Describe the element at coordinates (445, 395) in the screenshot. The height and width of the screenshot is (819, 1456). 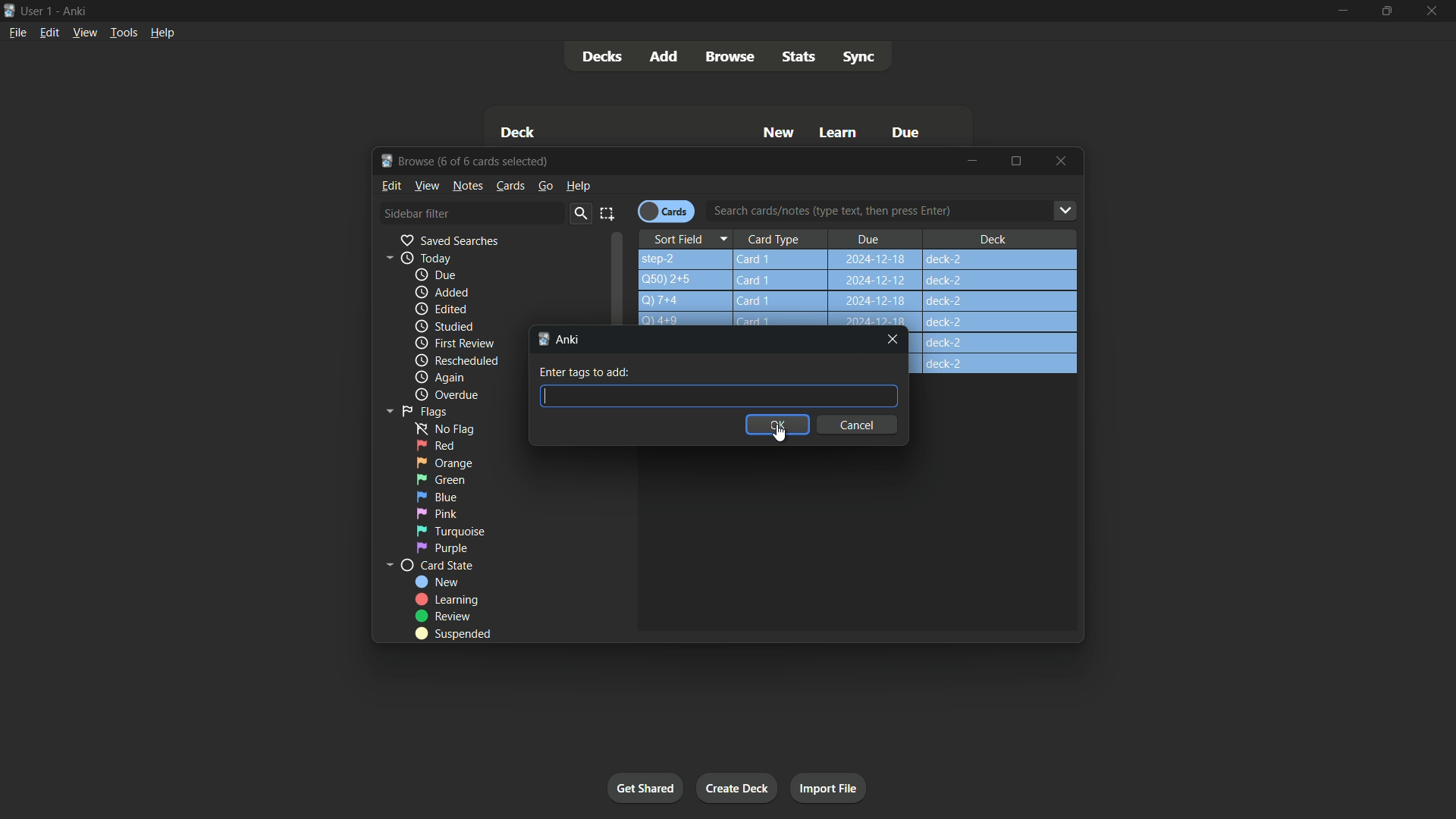
I see `Overdue` at that location.